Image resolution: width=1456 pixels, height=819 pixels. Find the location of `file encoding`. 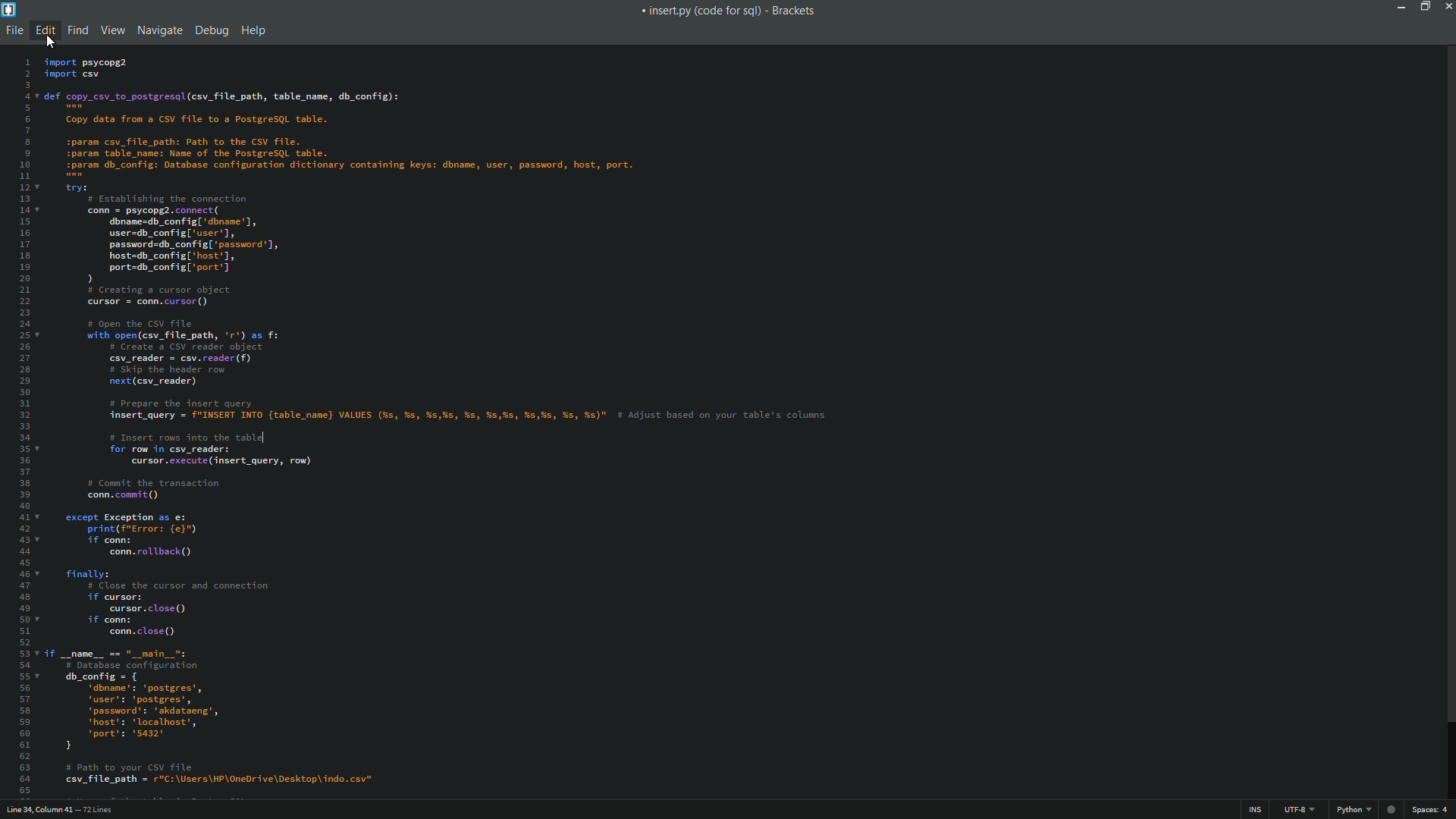

file encoding is located at coordinates (1299, 810).